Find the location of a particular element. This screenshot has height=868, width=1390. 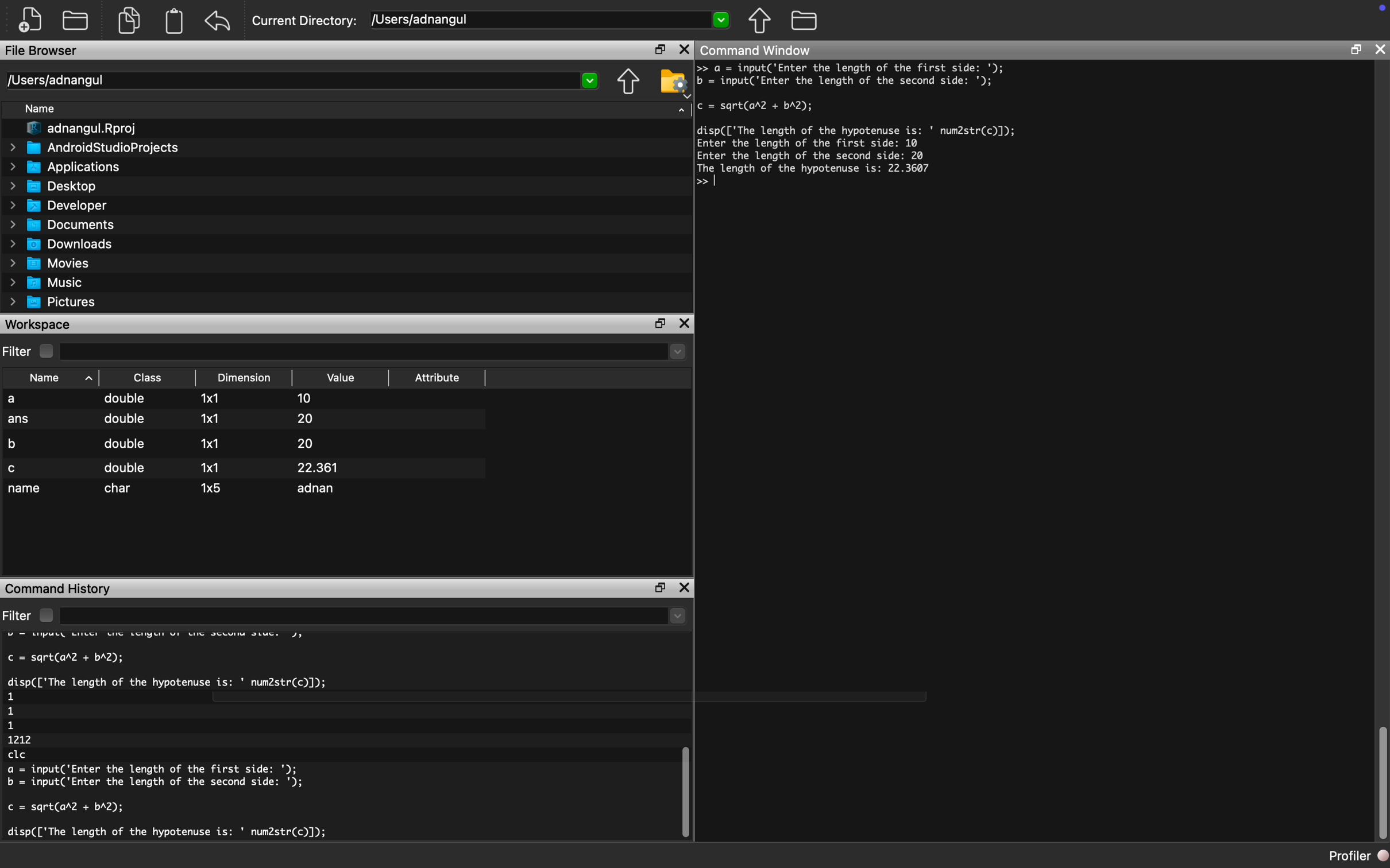

name is located at coordinates (26, 490).